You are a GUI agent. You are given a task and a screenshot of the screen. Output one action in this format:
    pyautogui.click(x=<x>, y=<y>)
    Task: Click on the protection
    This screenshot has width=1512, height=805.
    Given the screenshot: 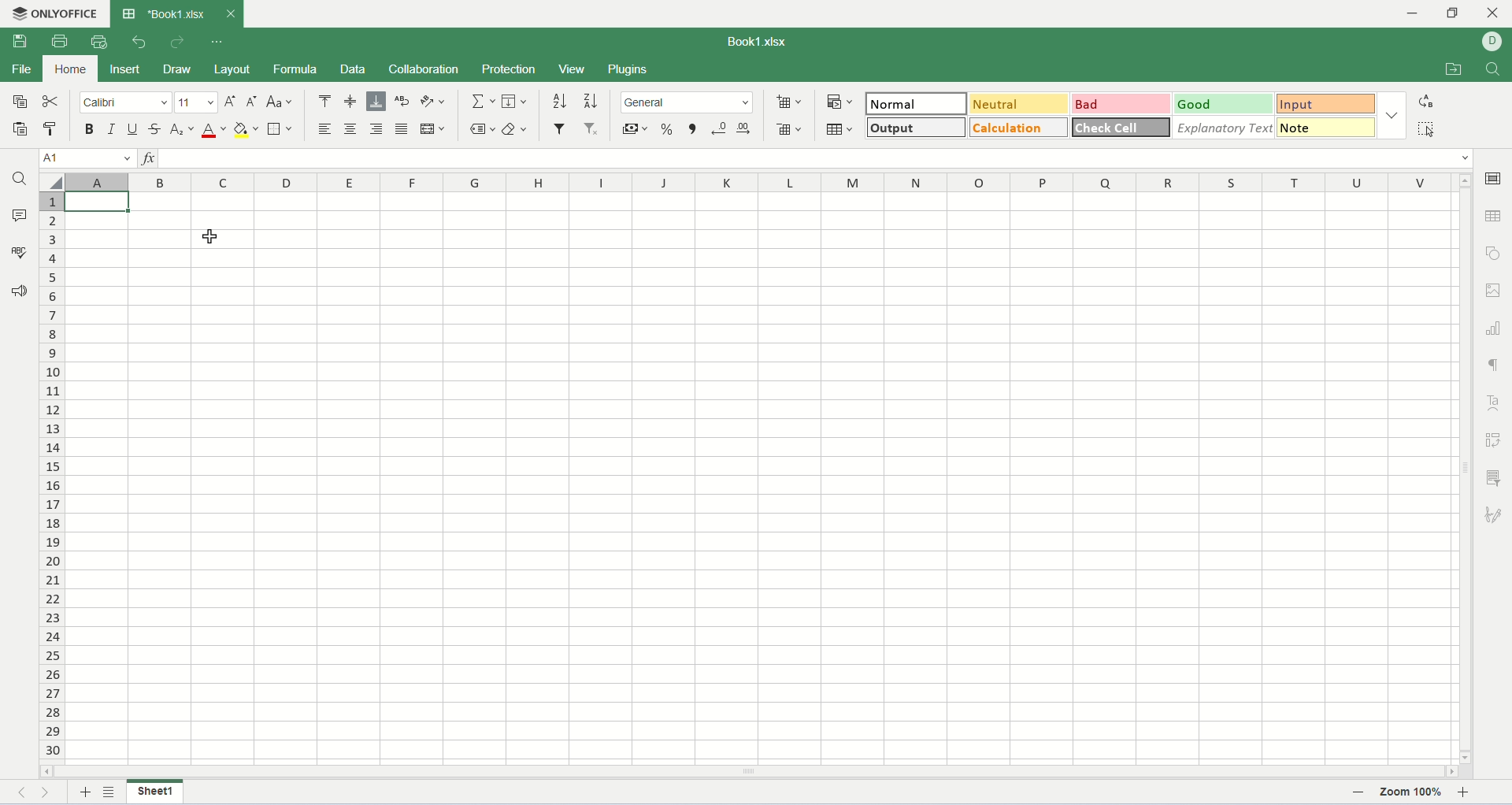 What is the action you would take?
    pyautogui.click(x=510, y=68)
    